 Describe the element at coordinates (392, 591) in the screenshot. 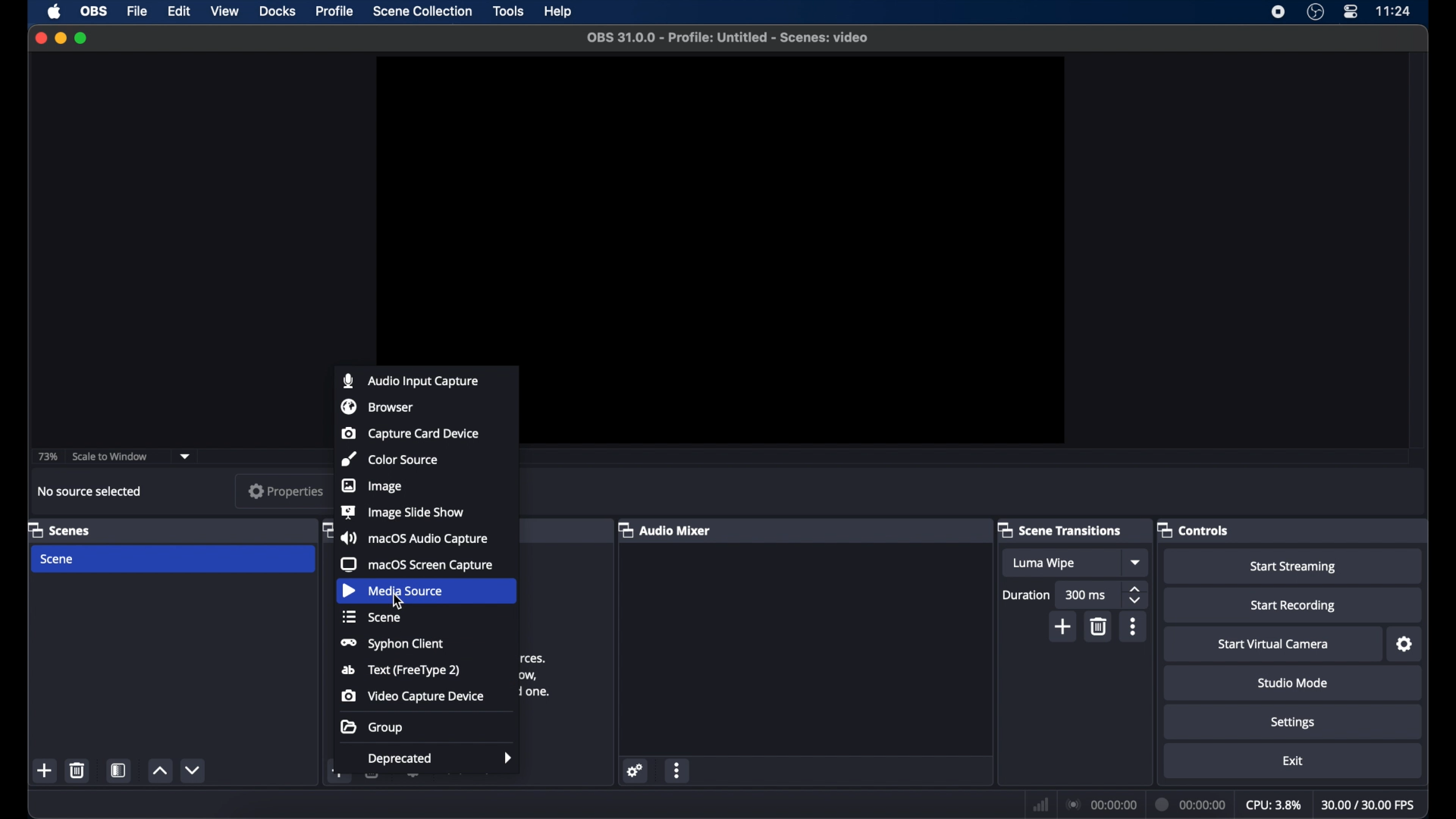

I see `media source` at that location.